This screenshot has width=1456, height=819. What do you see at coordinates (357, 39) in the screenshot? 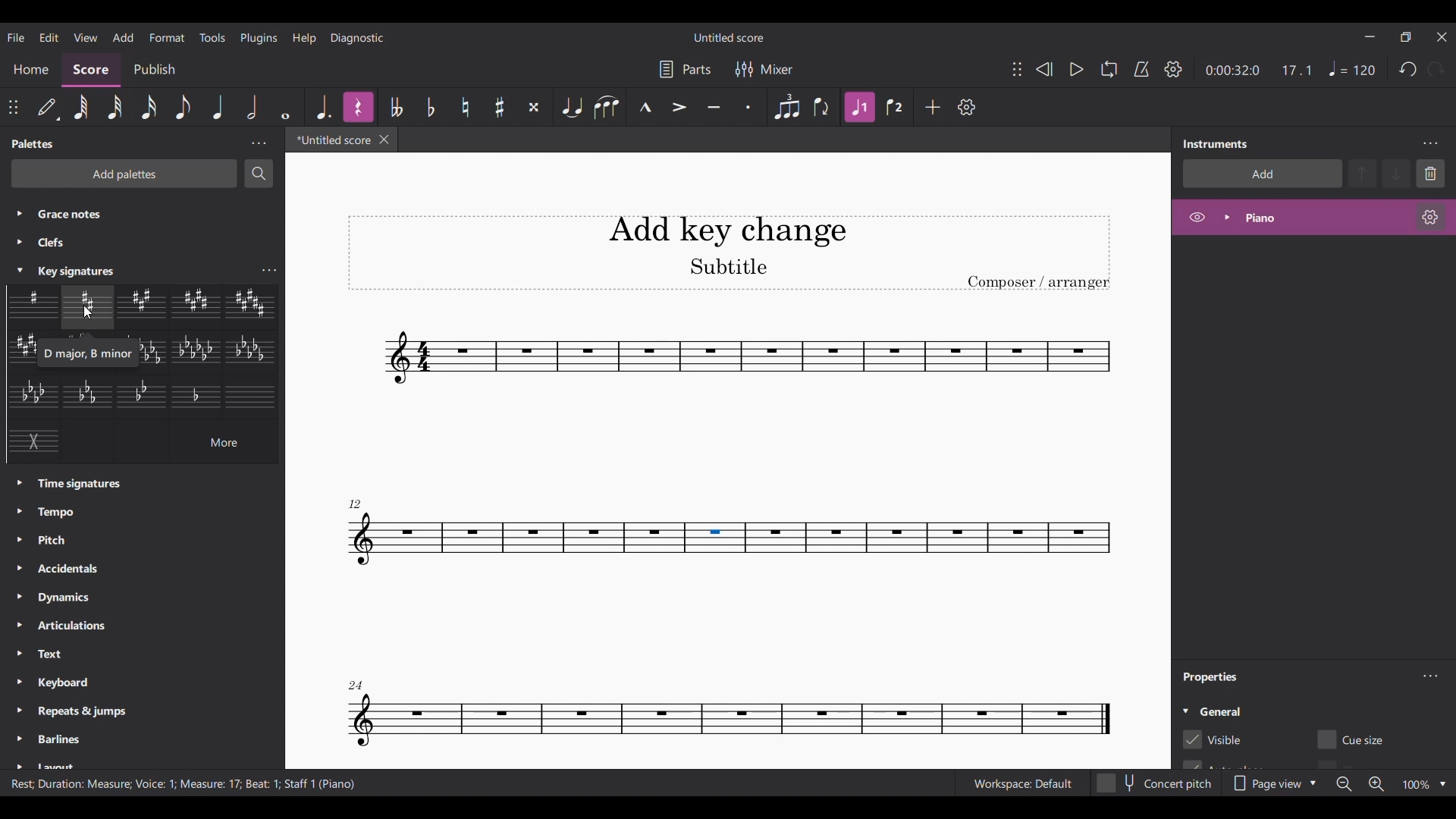
I see `Diagnostic menu` at bounding box center [357, 39].